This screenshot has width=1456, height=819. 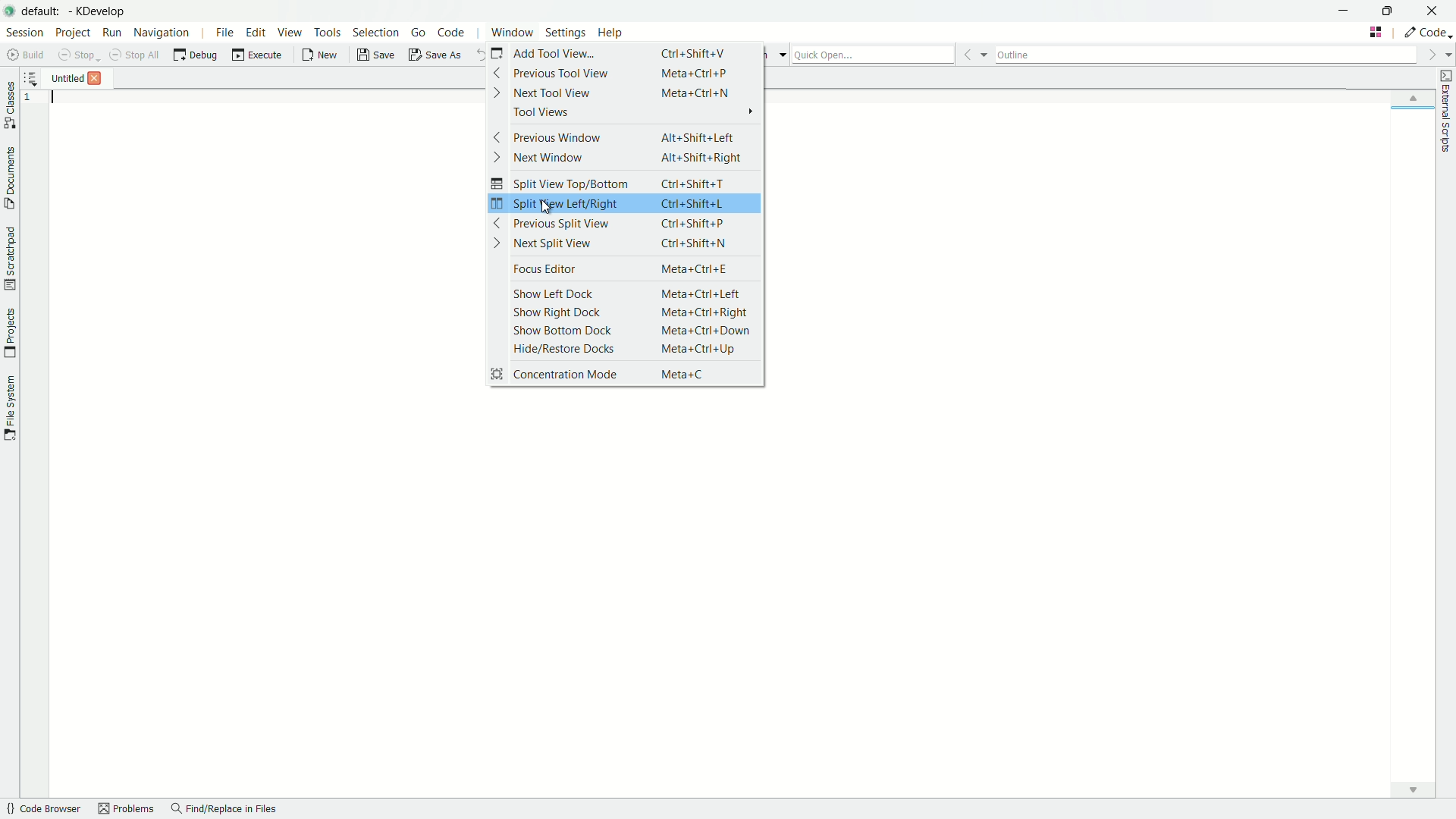 What do you see at coordinates (98, 78) in the screenshot?
I see `` at bounding box center [98, 78].